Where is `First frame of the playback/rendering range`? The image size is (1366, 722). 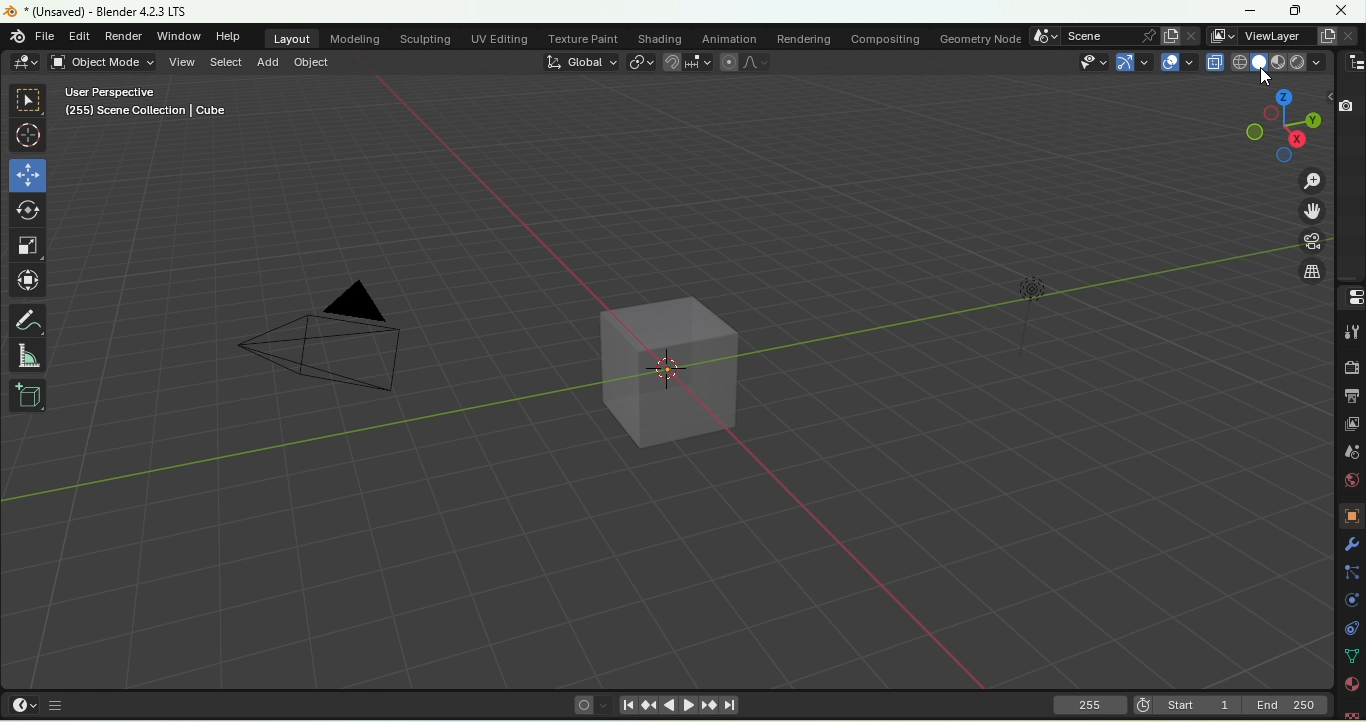 First frame of the playback/rendering range is located at coordinates (1197, 704).